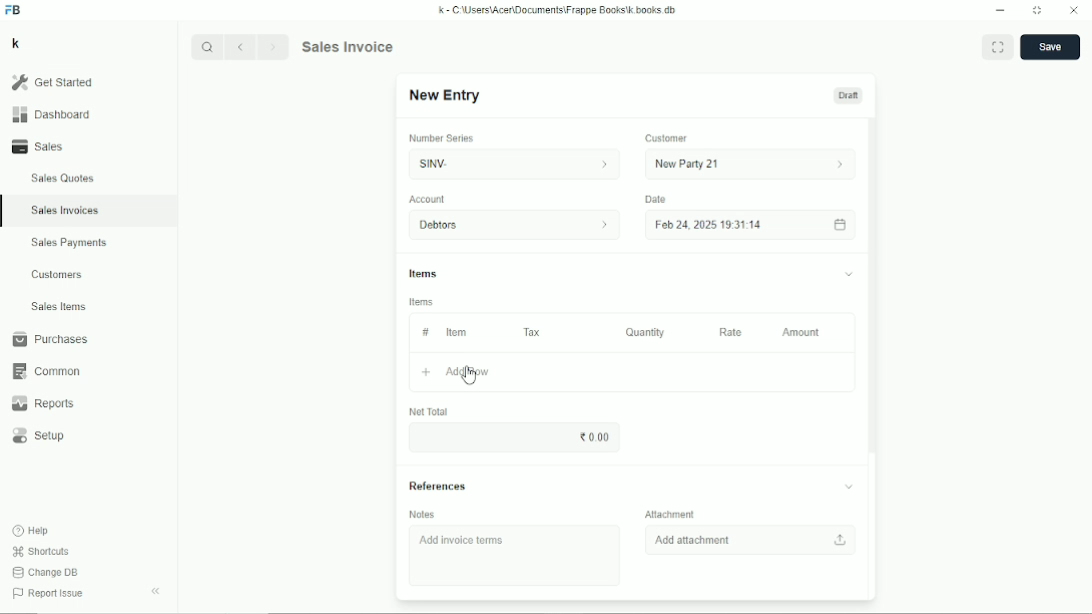 Image resolution: width=1092 pixels, height=614 pixels. I want to click on Add row, so click(455, 373).